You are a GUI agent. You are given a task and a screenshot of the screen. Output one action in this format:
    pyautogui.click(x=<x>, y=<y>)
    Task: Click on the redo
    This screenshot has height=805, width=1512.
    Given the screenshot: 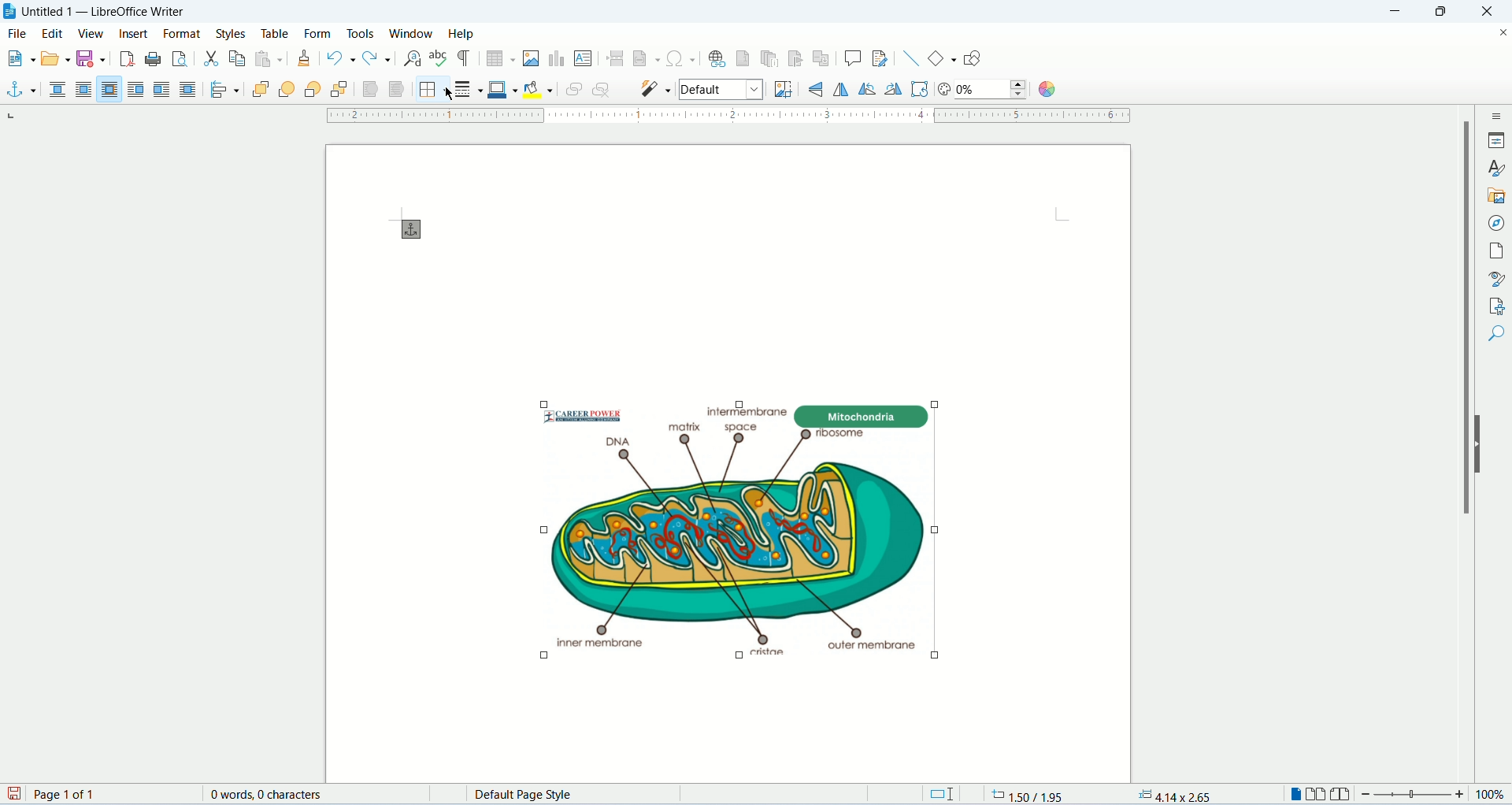 What is the action you would take?
    pyautogui.click(x=378, y=57)
    